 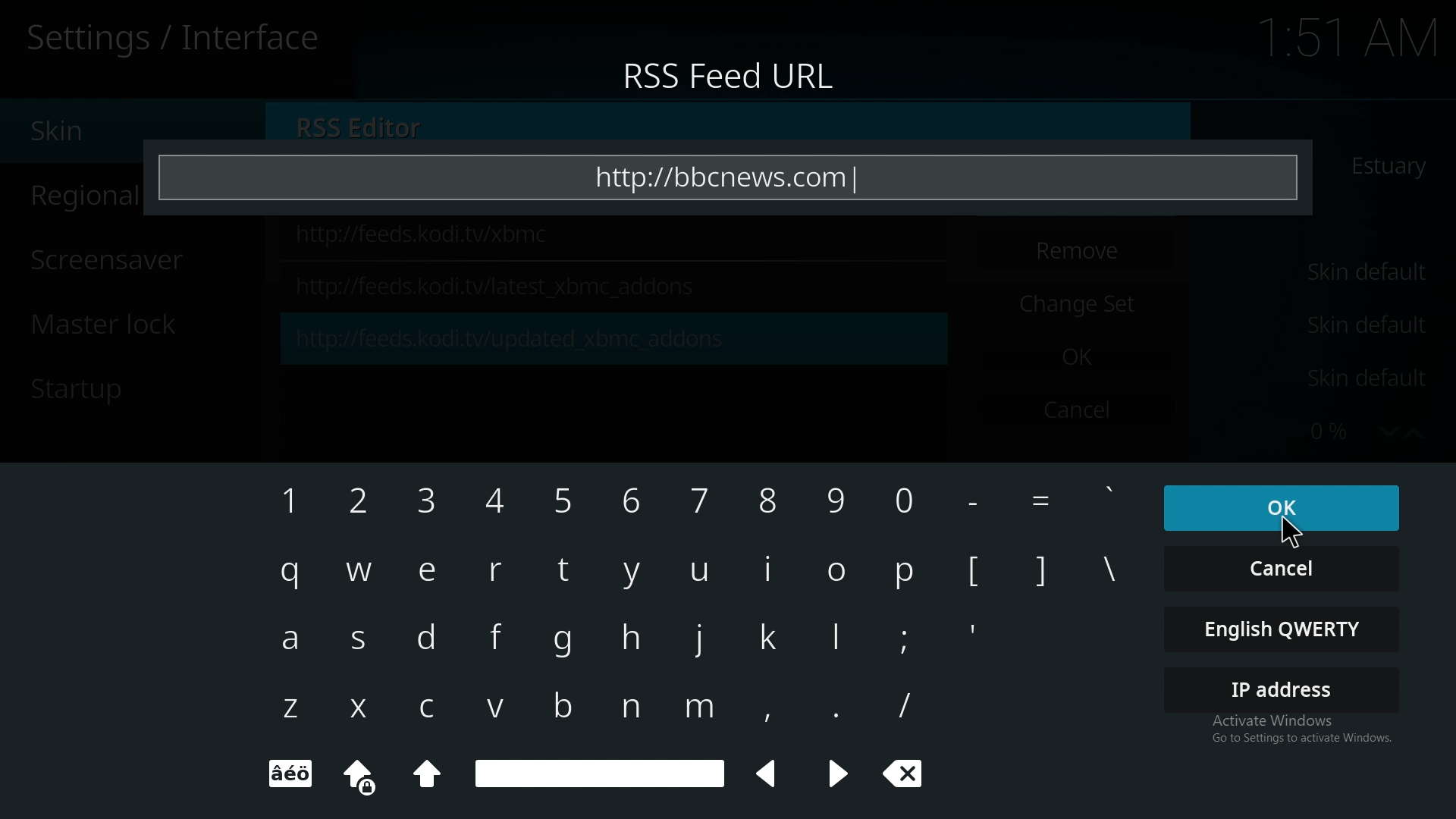 I want to click on keyboard Input, so click(x=836, y=574).